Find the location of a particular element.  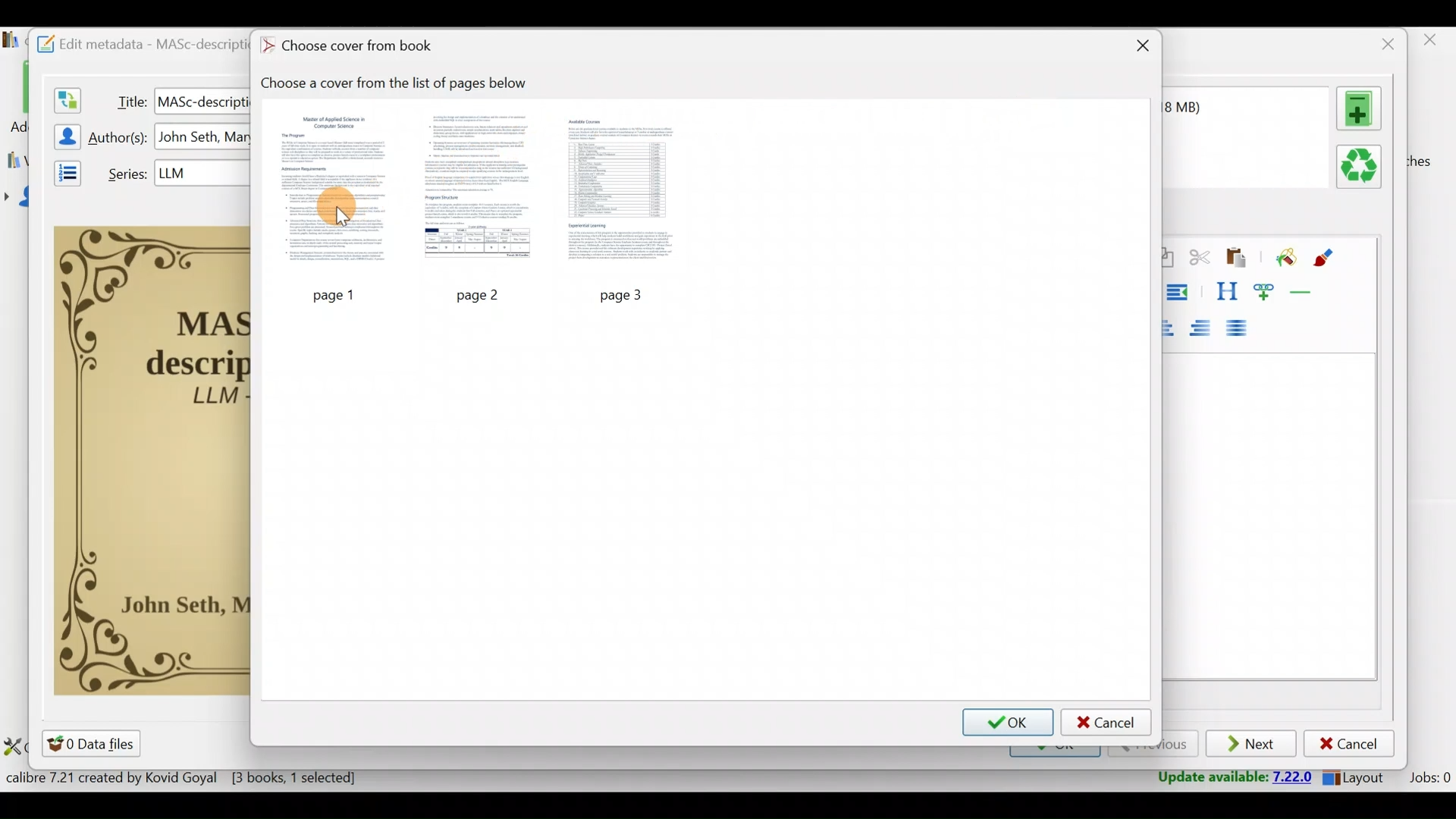

Close is located at coordinates (1140, 48).